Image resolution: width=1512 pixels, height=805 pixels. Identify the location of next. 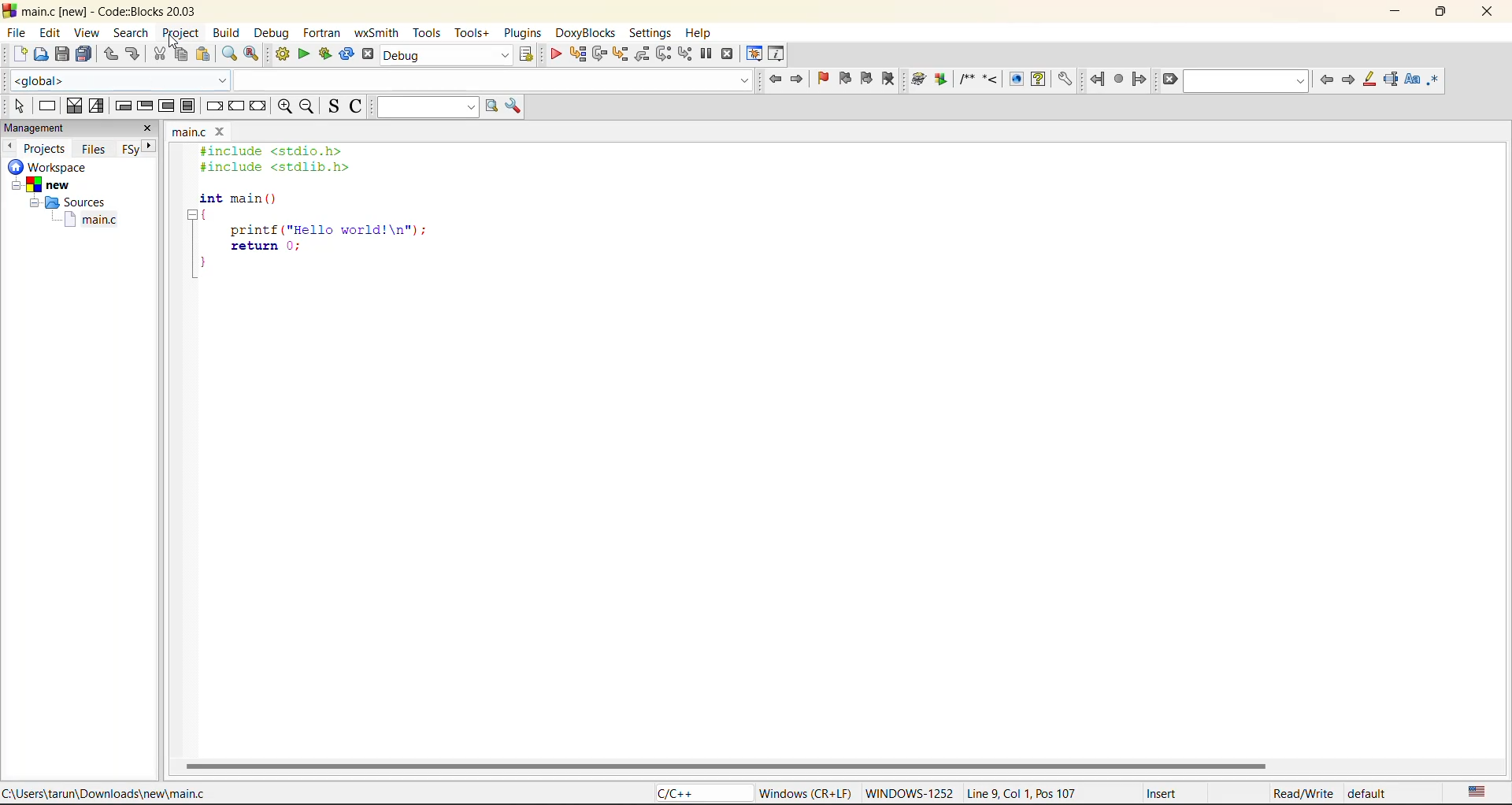
(151, 146).